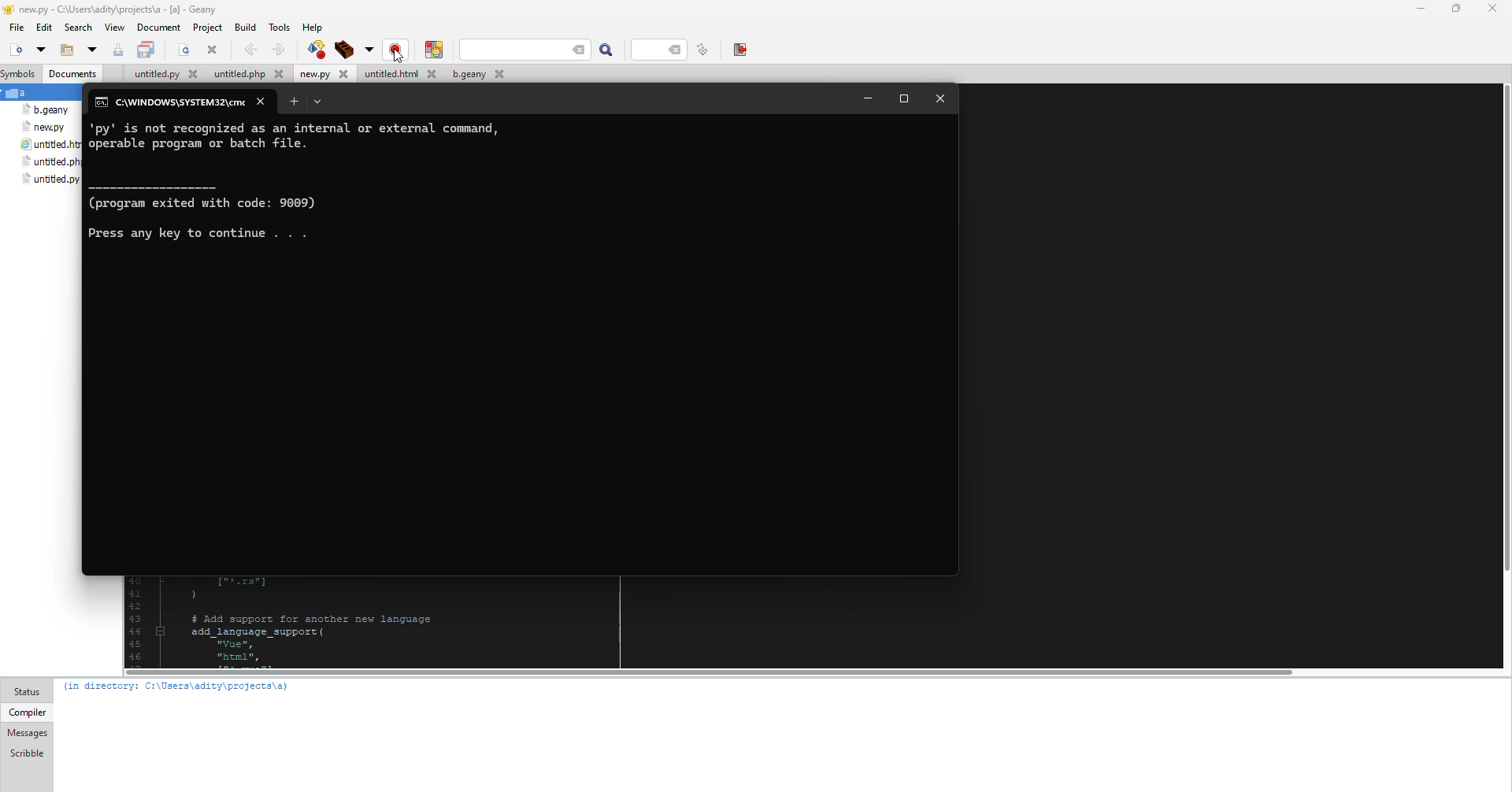  Describe the element at coordinates (397, 50) in the screenshot. I see `compile` at that location.